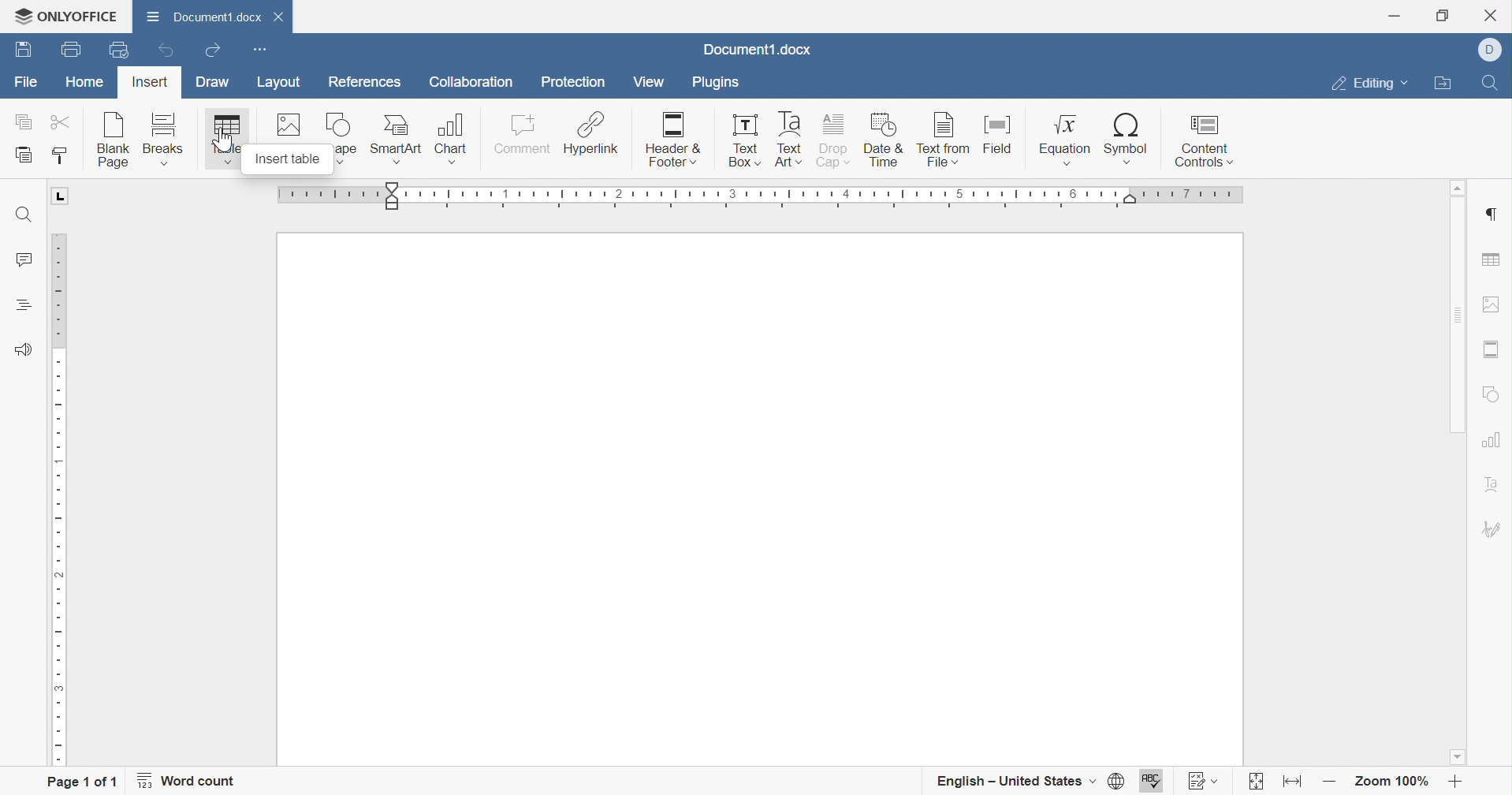  What do you see at coordinates (648, 80) in the screenshot?
I see `View` at bounding box center [648, 80].